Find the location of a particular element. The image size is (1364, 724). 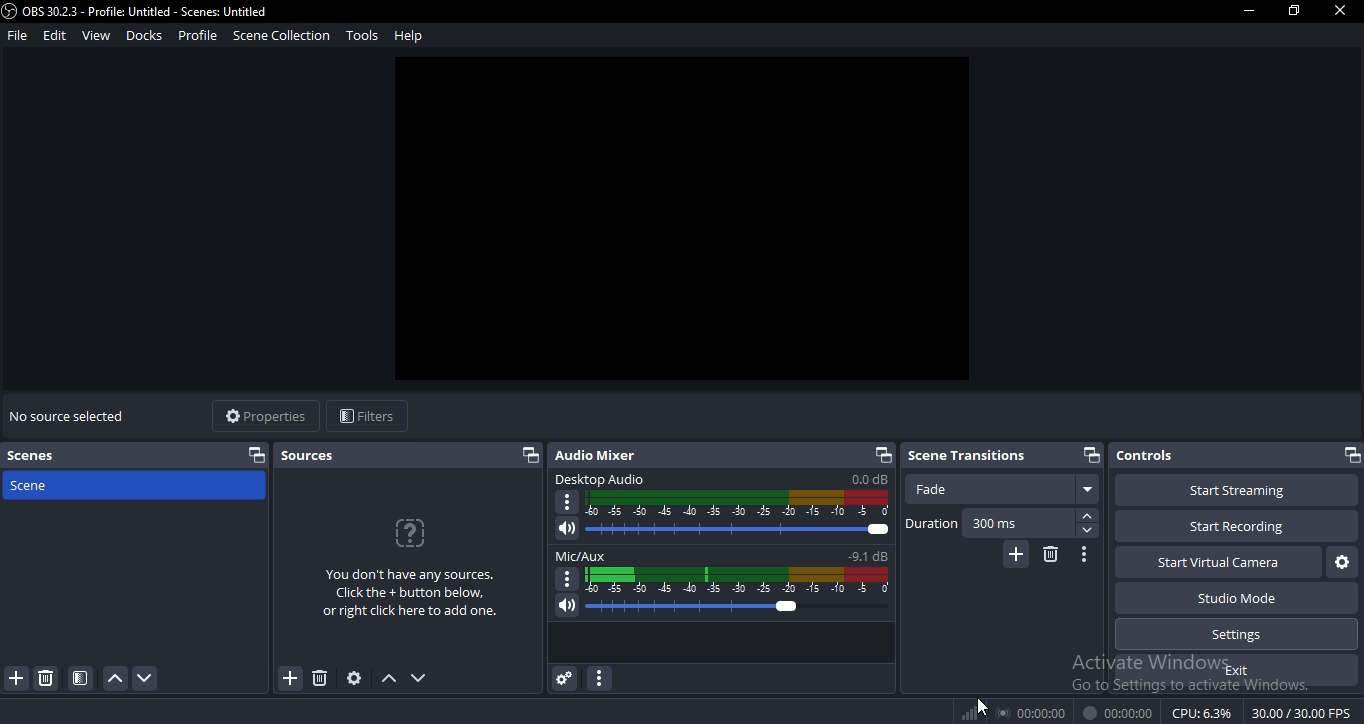

display is located at coordinates (741, 580).